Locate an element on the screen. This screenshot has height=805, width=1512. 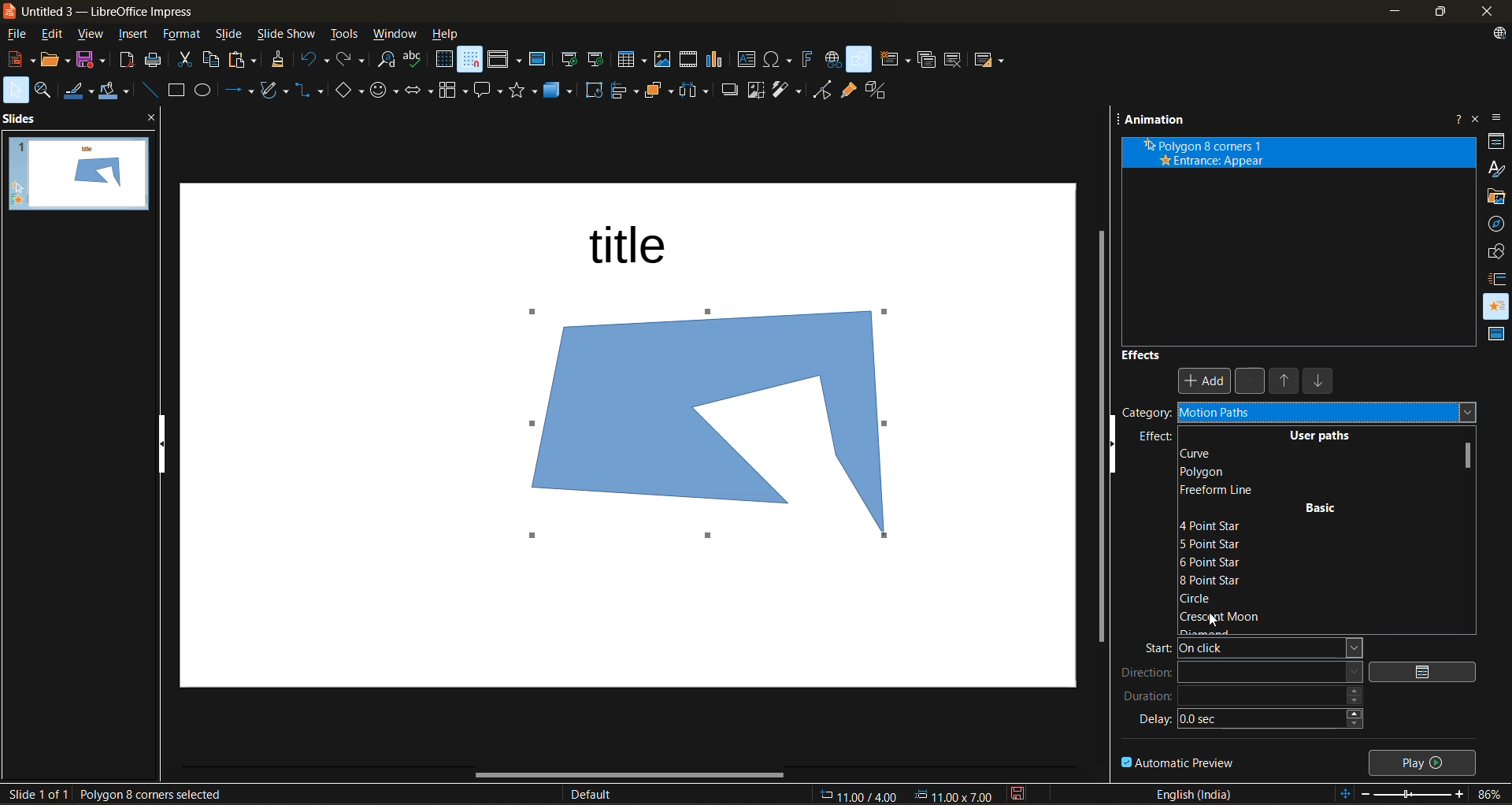
animation is located at coordinates (1155, 121).